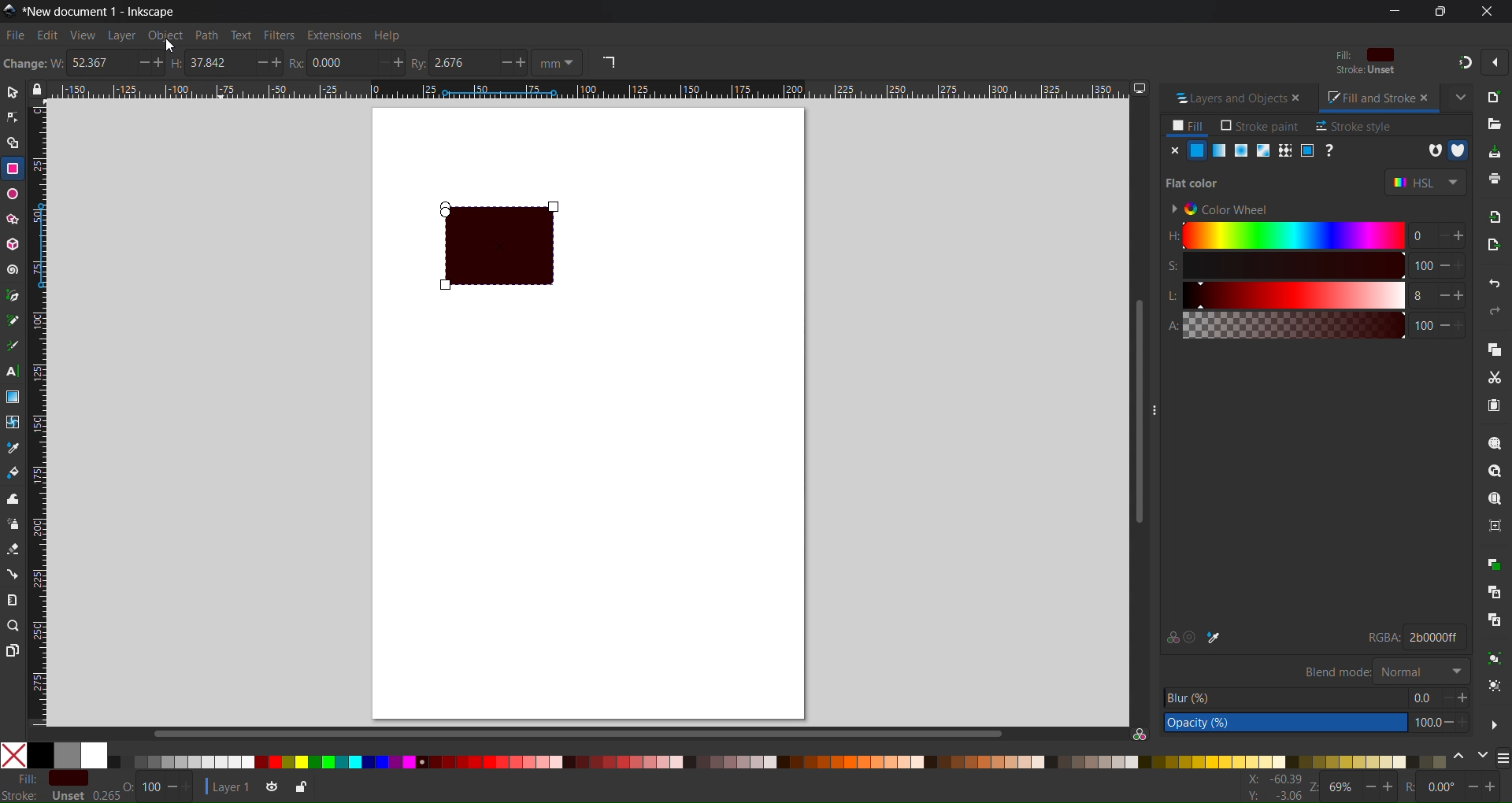 The image size is (1512, 803). Describe the element at coordinates (1342, 788) in the screenshot. I see `Zoom 69%` at that location.